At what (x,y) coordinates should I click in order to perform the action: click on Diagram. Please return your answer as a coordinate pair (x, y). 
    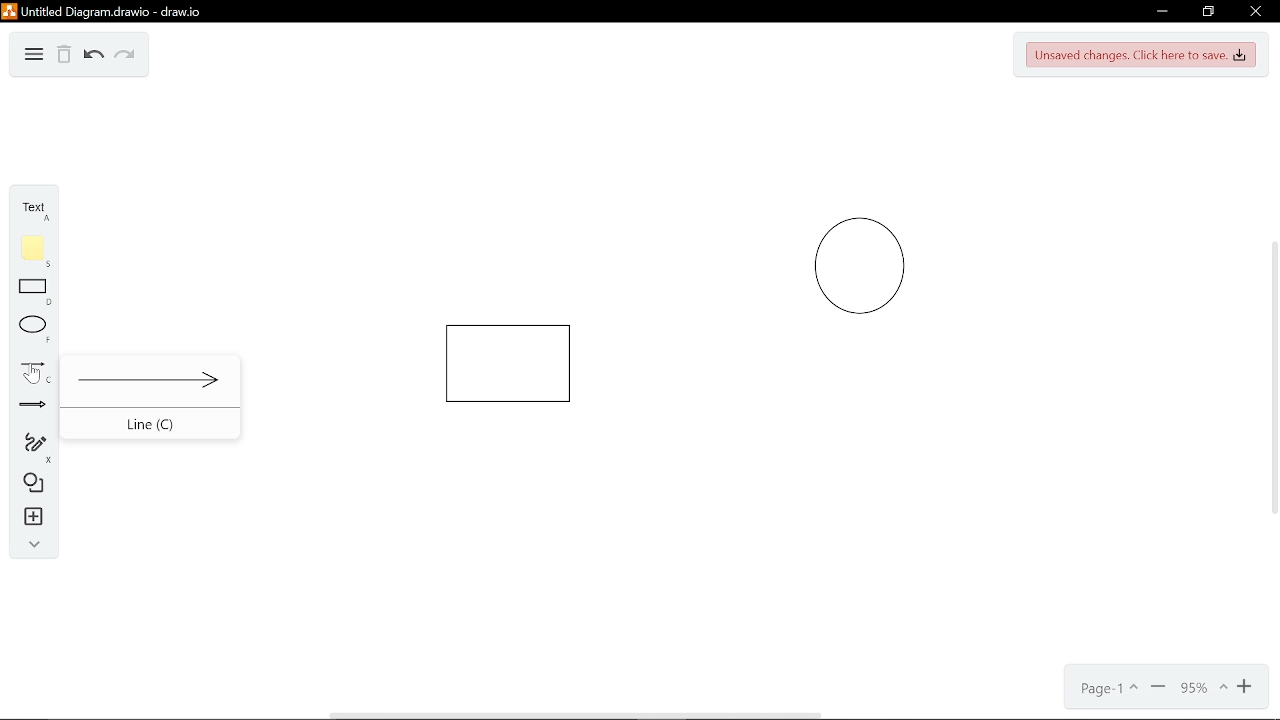
    Looking at the image, I should click on (34, 56).